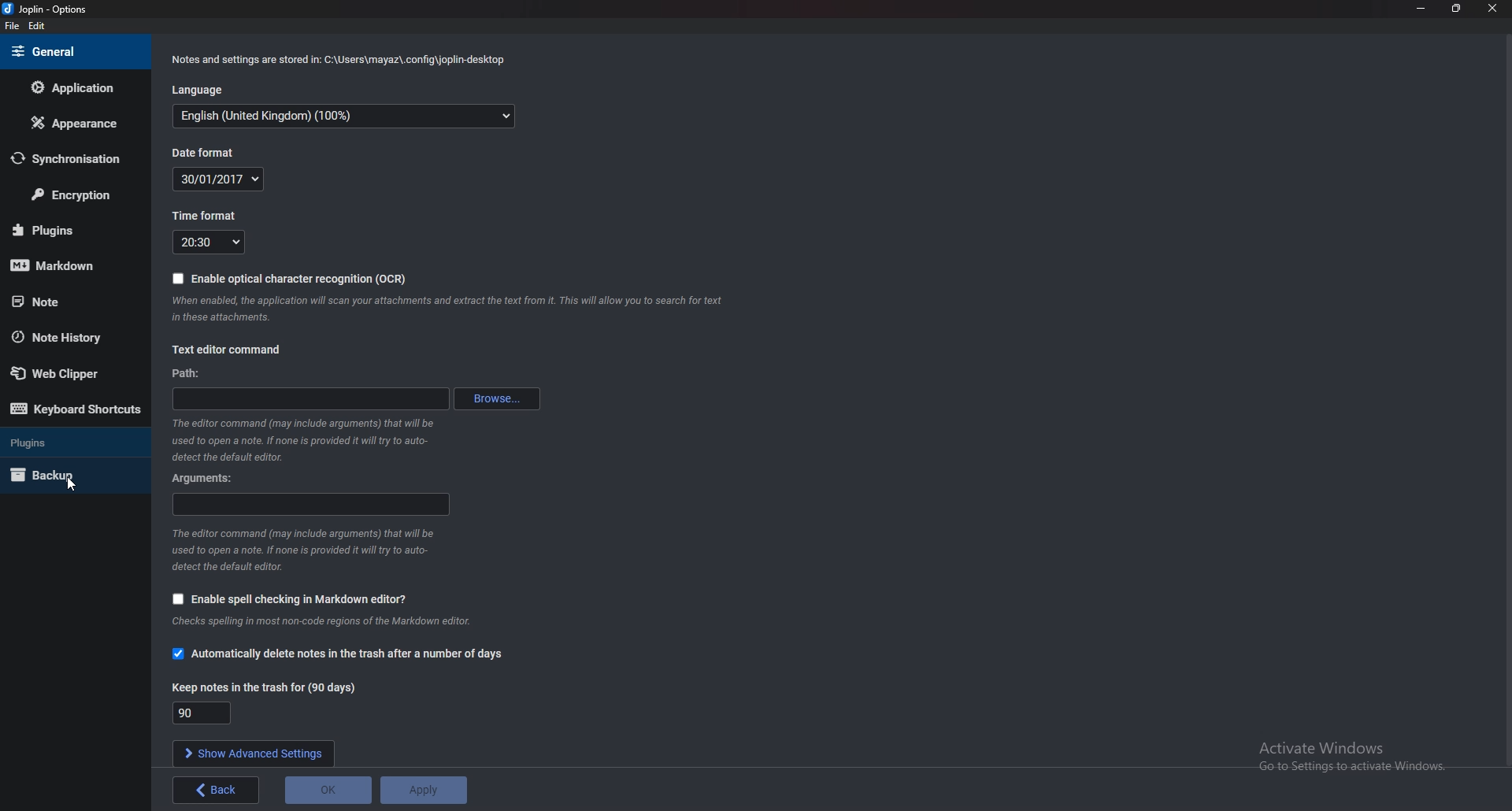 The image size is (1512, 811). I want to click on Info on editor command, so click(304, 439).